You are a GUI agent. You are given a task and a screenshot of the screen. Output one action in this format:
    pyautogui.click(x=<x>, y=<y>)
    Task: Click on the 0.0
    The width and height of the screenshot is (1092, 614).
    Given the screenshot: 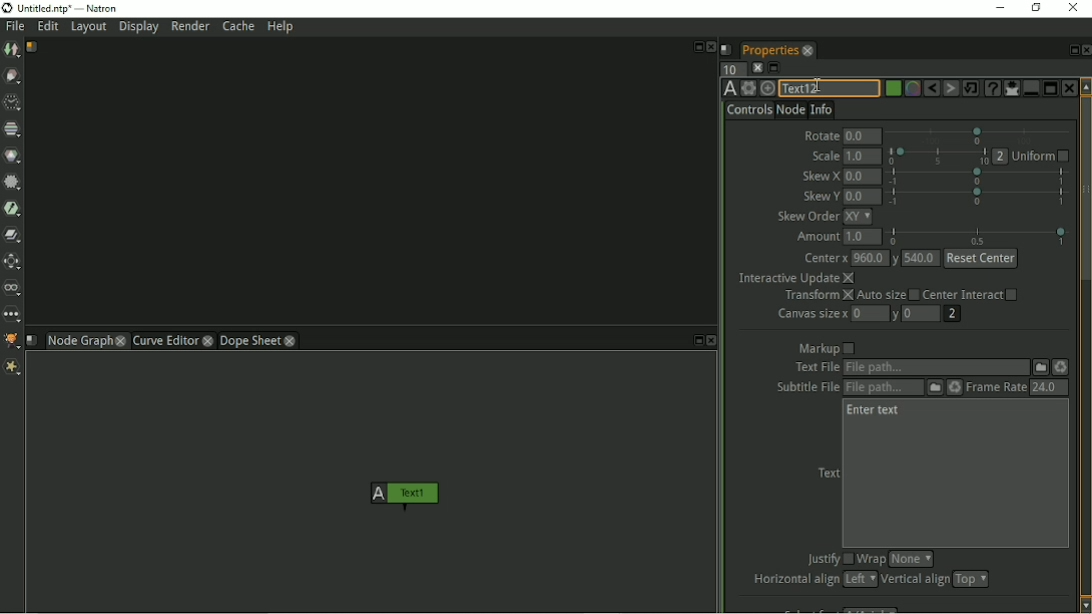 What is the action you would take?
    pyautogui.click(x=863, y=137)
    